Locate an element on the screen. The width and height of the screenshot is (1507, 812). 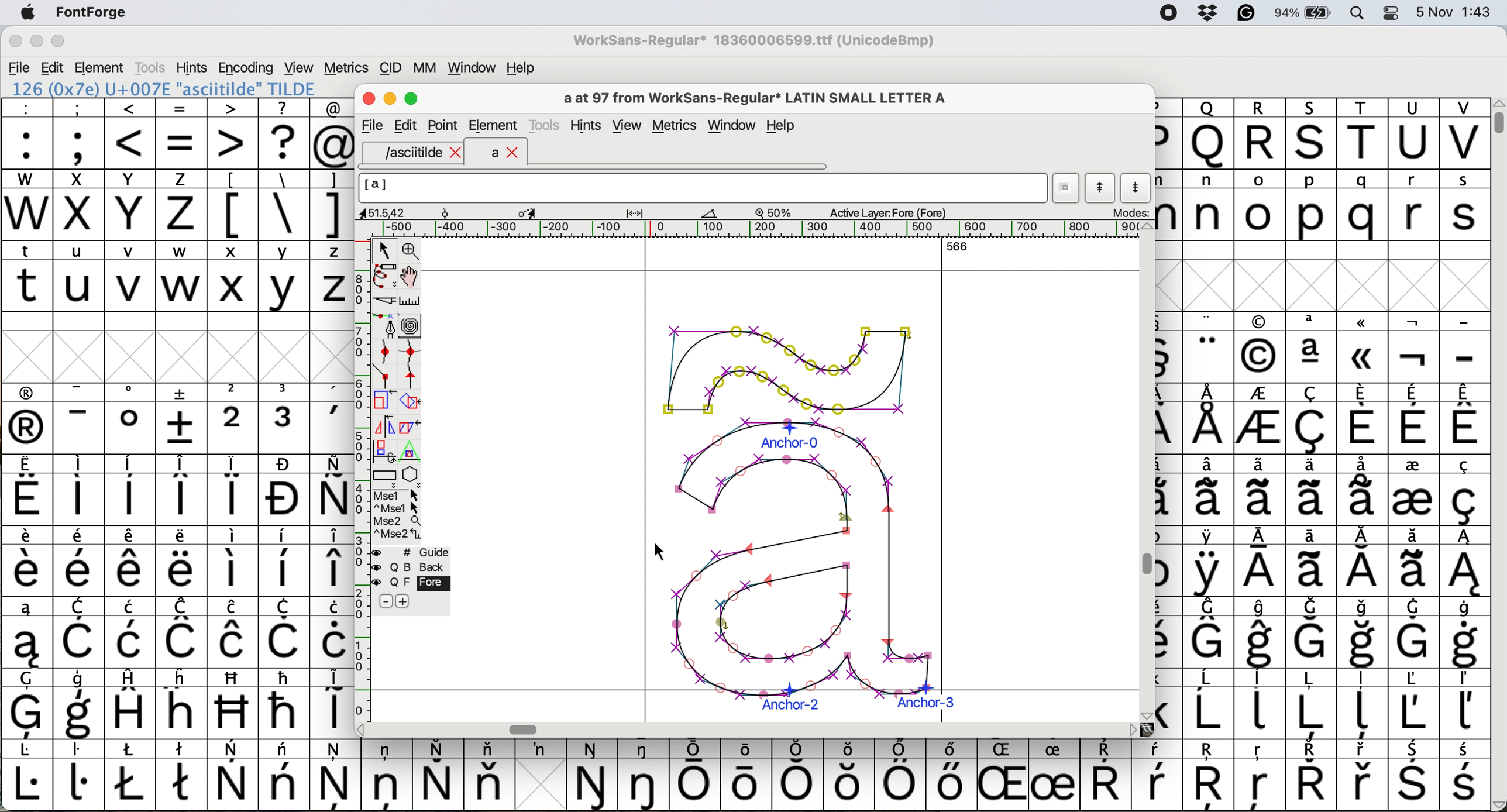
symbol is located at coordinates (331, 490).